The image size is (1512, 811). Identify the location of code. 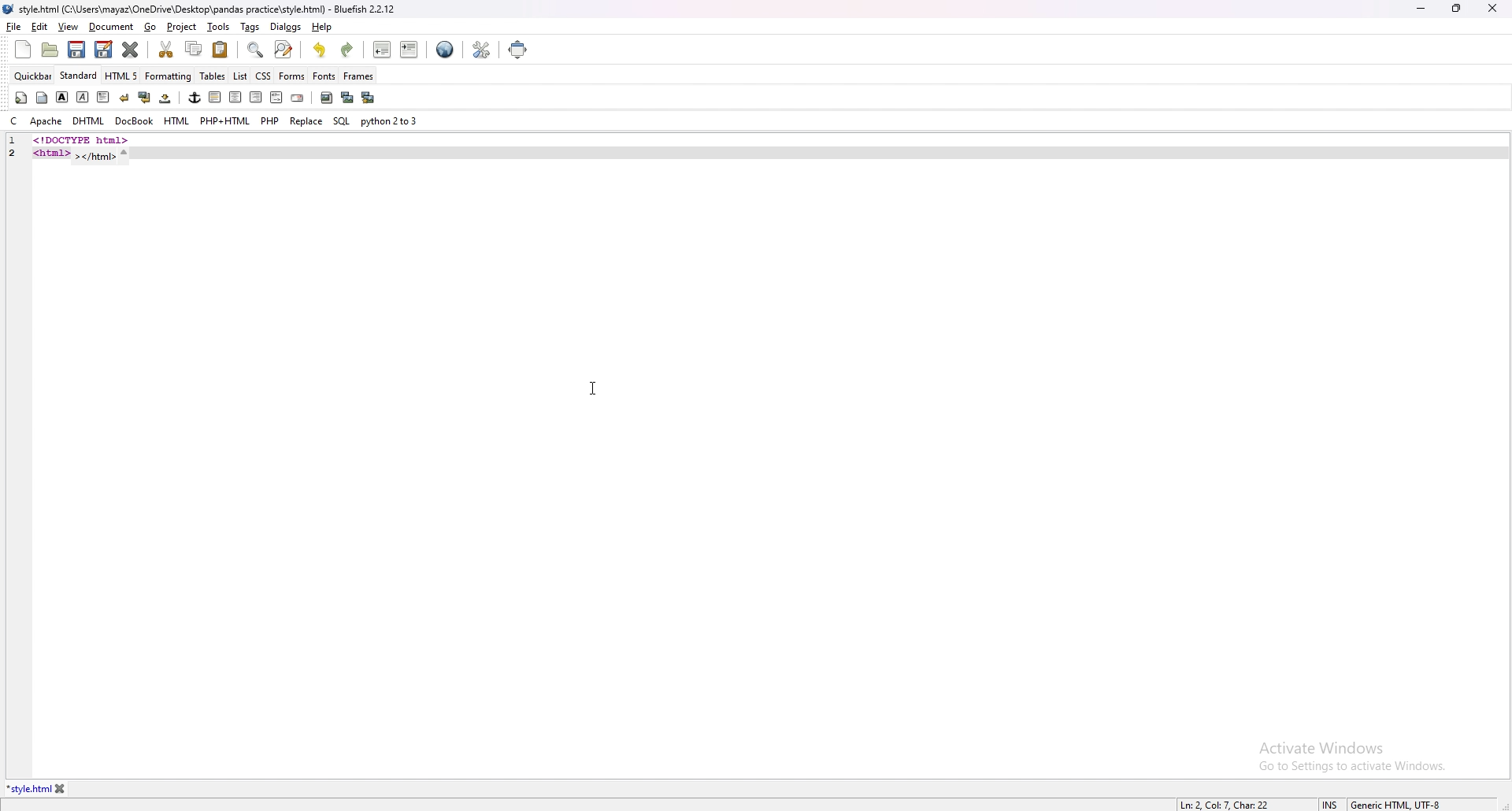
(87, 156).